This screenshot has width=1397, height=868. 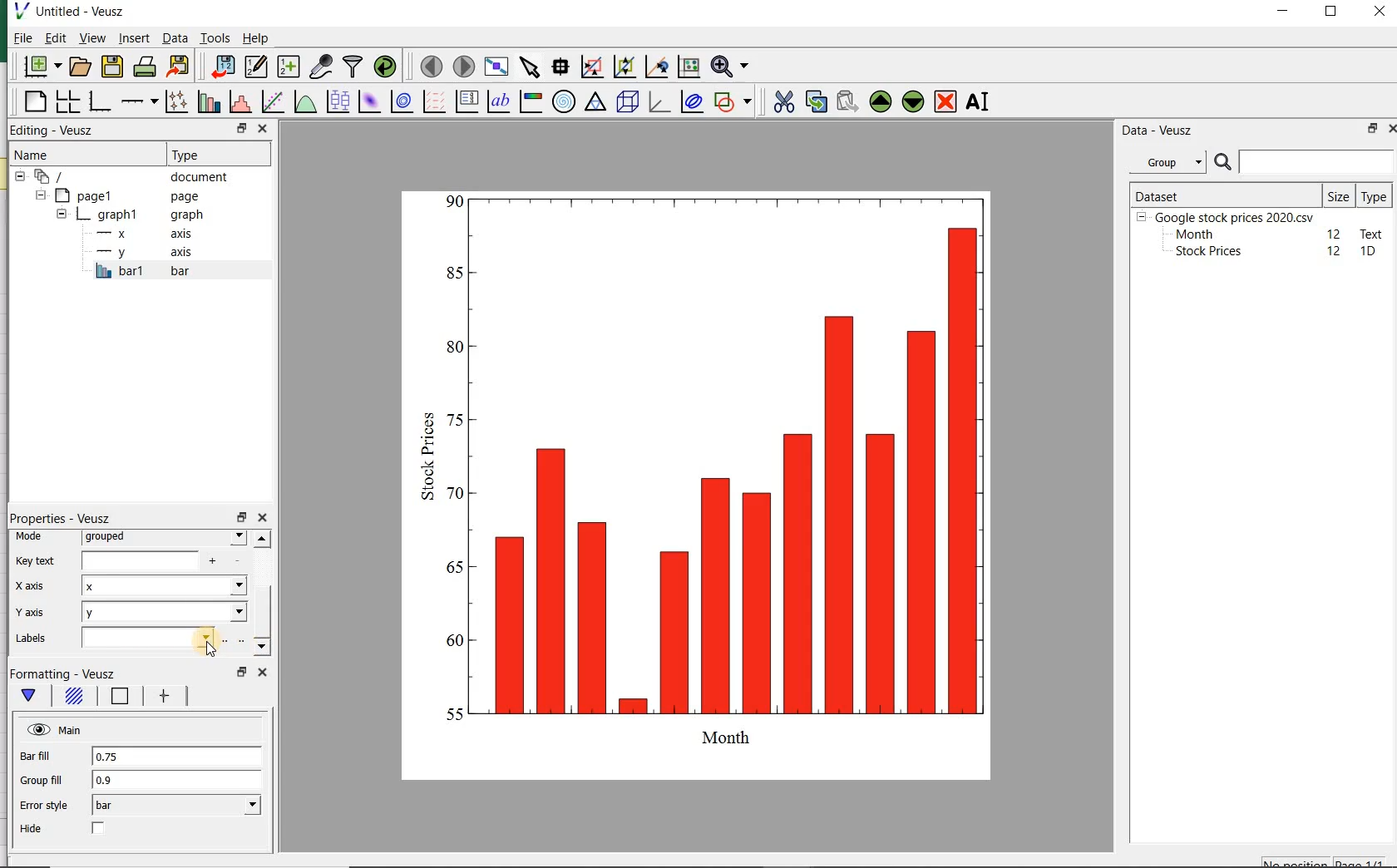 What do you see at coordinates (1370, 130) in the screenshot?
I see `restore` at bounding box center [1370, 130].